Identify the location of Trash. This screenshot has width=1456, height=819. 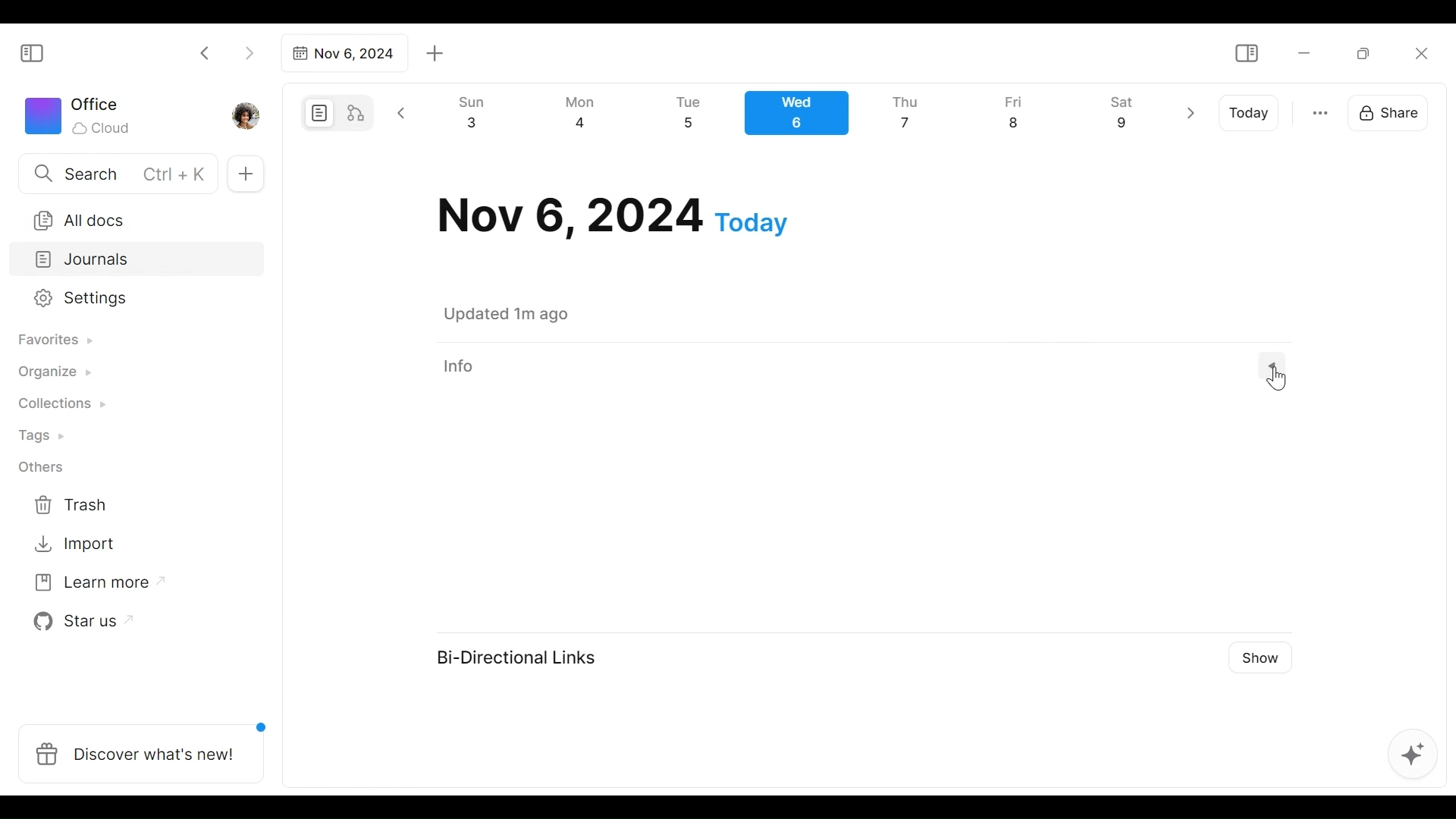
(72, 505).